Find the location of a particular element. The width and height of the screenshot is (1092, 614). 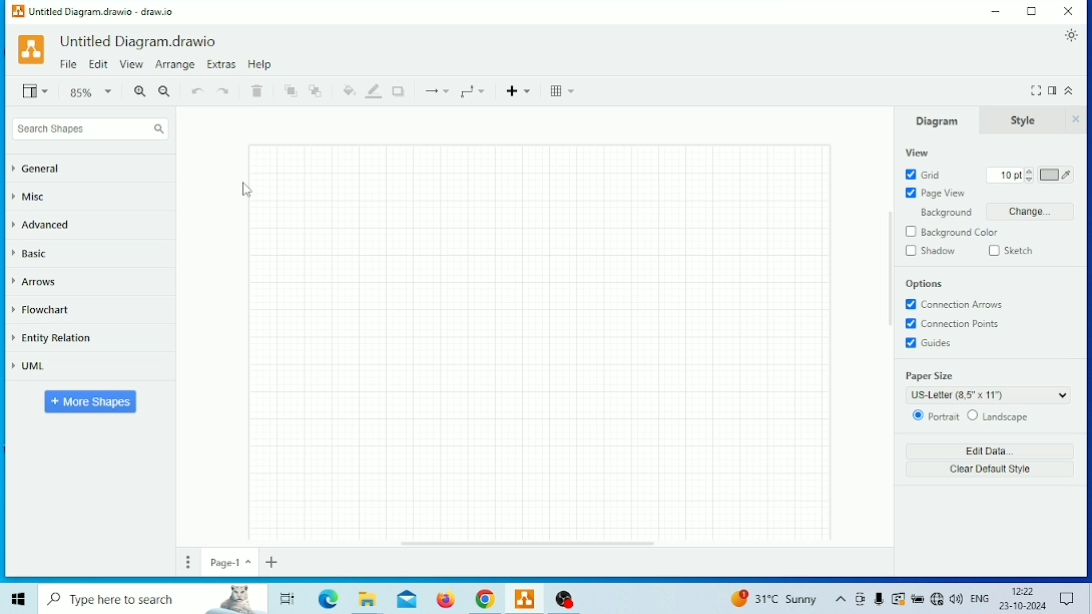

Charging, plugged in is located at coordinates (917, 598).